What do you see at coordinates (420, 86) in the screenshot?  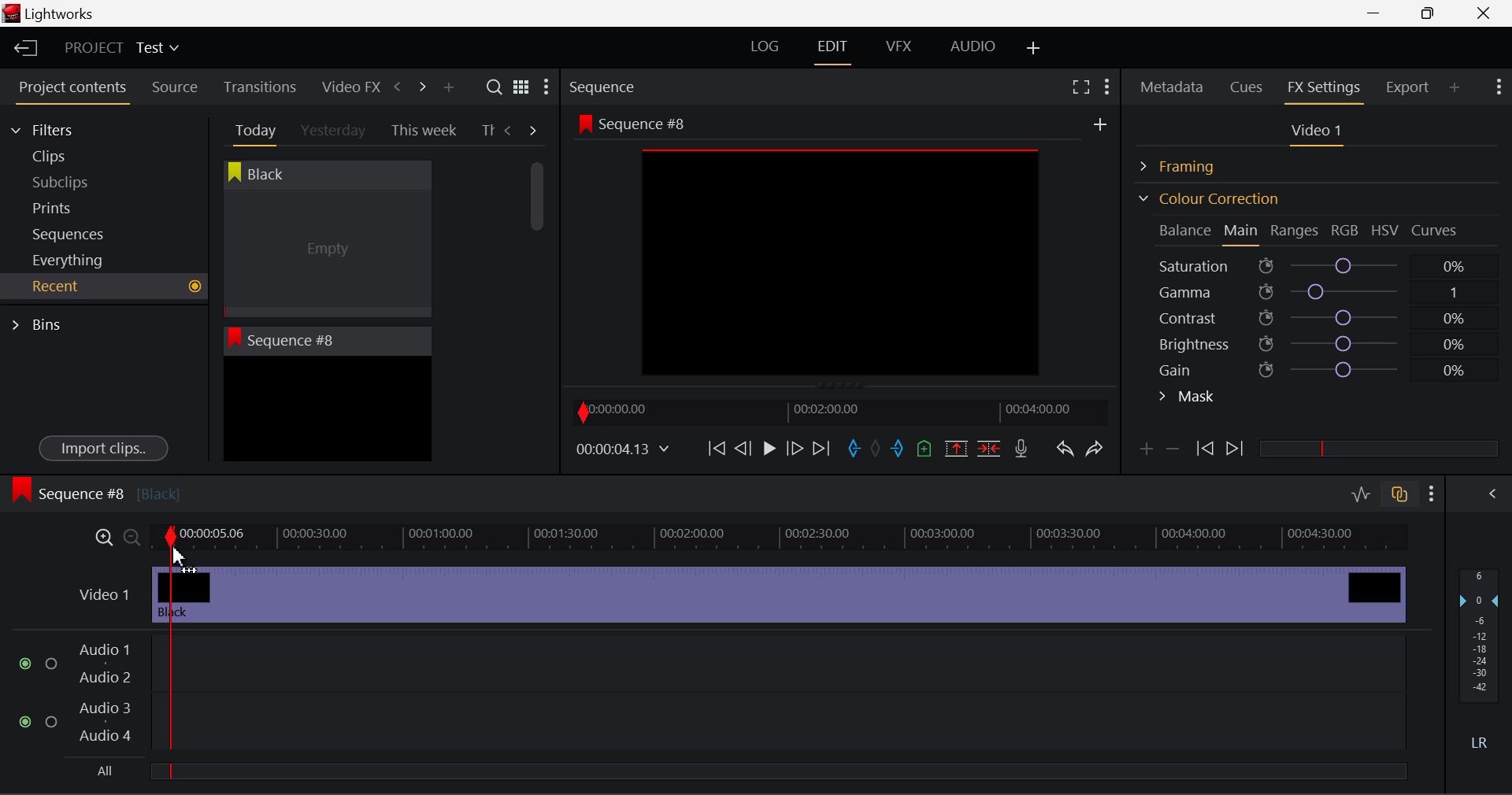 I see `Next Panel` at bounding box center [420, 86].